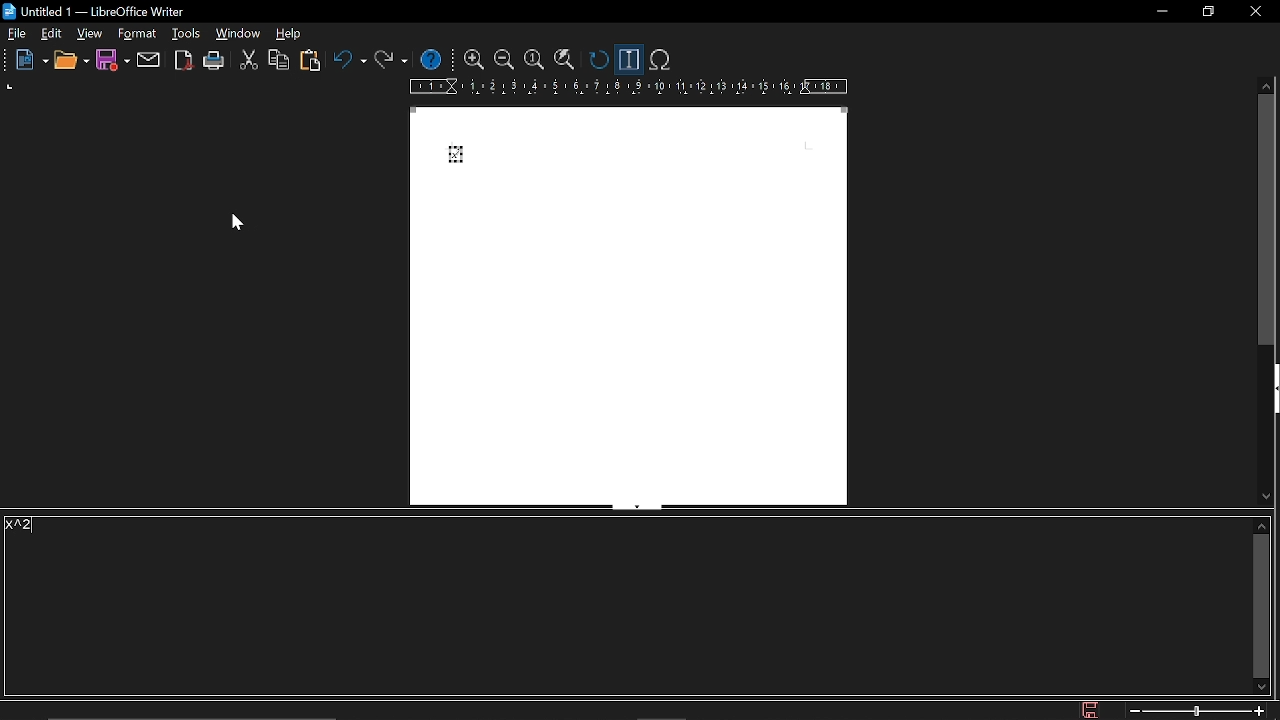 The height and width of the screenshot is (720, 1280). What do you see at coordinates (1206, 13) in the screenshot?
I see `restore down` at bounding box center [1206, 13].